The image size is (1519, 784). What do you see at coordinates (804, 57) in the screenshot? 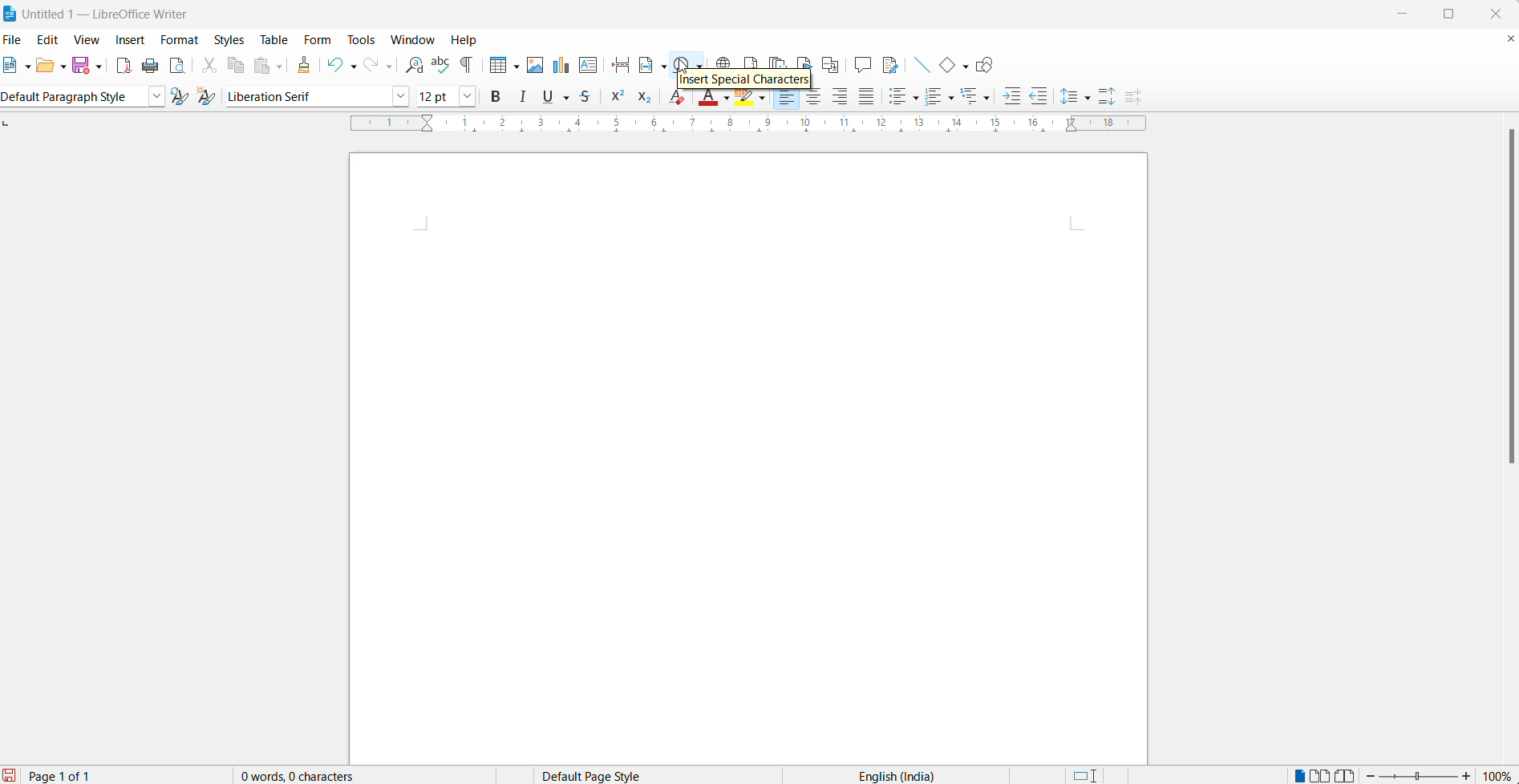
I see `insert bookmark` at bounding box center [804, 57].